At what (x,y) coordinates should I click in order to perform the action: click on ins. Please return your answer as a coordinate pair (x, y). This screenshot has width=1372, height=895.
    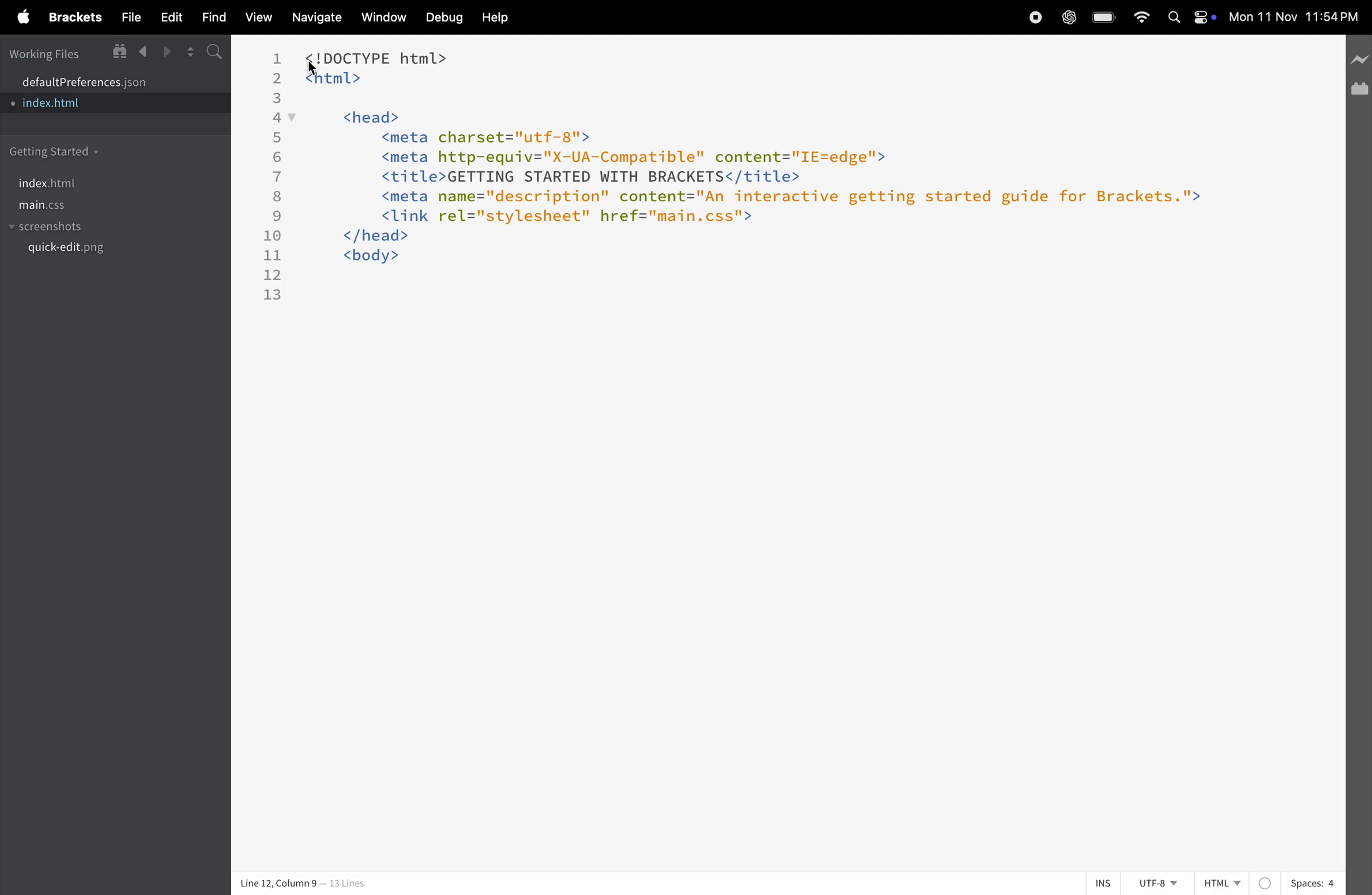
    Looking at the image, I should click on (1103, 882).